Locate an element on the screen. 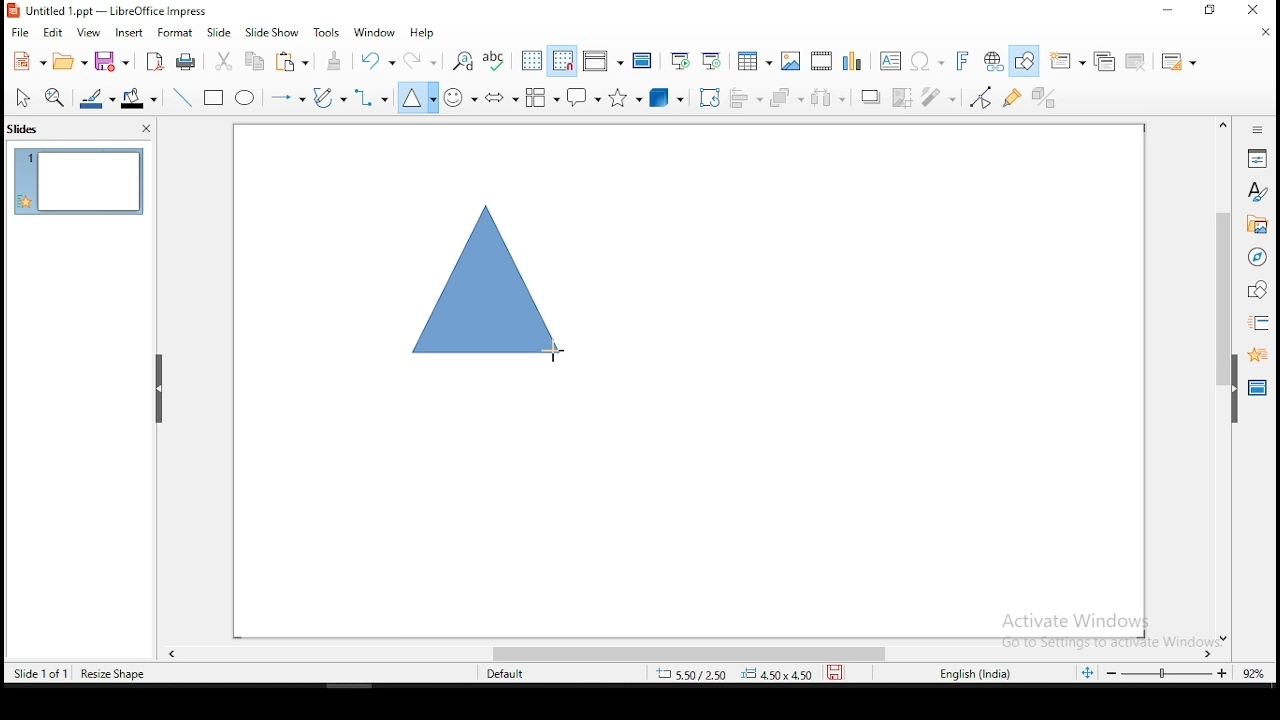 The image size is (1280, 720). slide 1 of 1 is located at coordinates (40, 671).